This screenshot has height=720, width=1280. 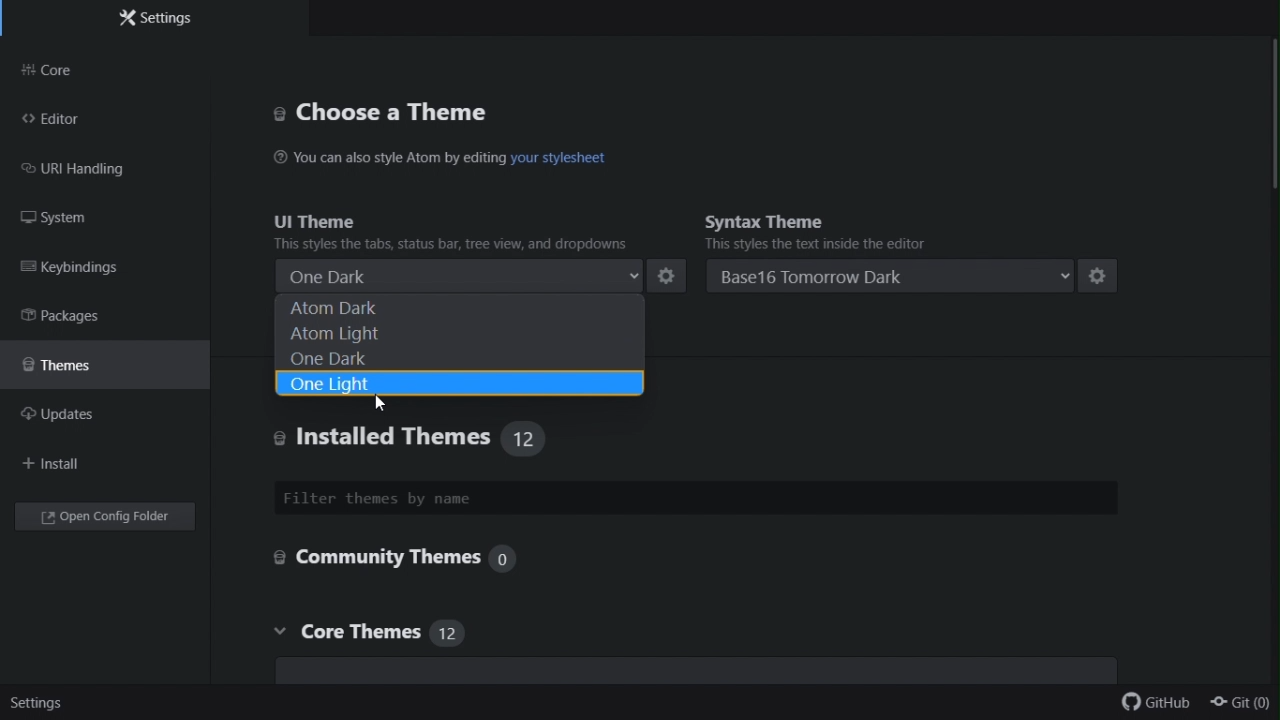 What do you see at coordinates (84, 317) in the screenshot?
I see `Packages` at bounding box center [84, 317].